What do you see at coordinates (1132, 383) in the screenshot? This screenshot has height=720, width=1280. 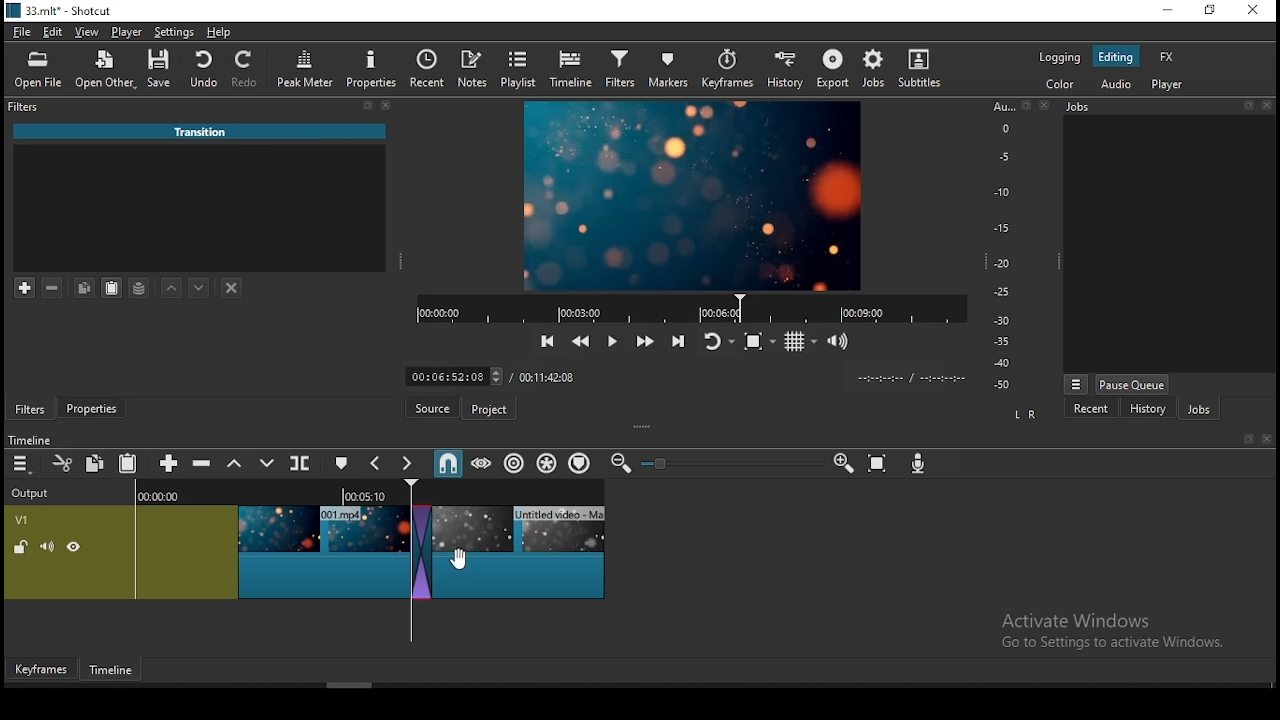 I see `pause queue` at bounding box center [1132, 383].